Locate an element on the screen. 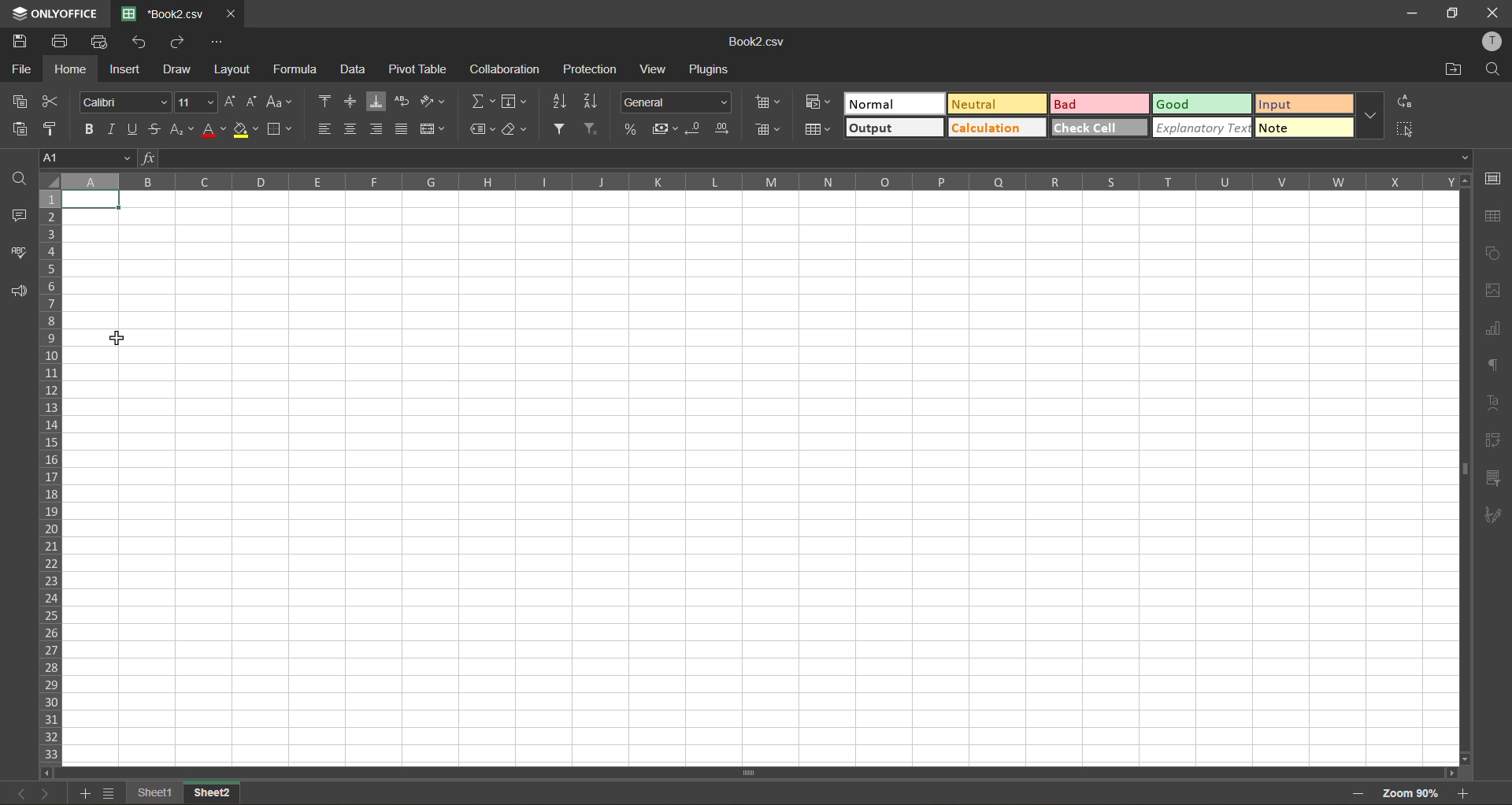  decrement size is located at coordinates (250, 102).